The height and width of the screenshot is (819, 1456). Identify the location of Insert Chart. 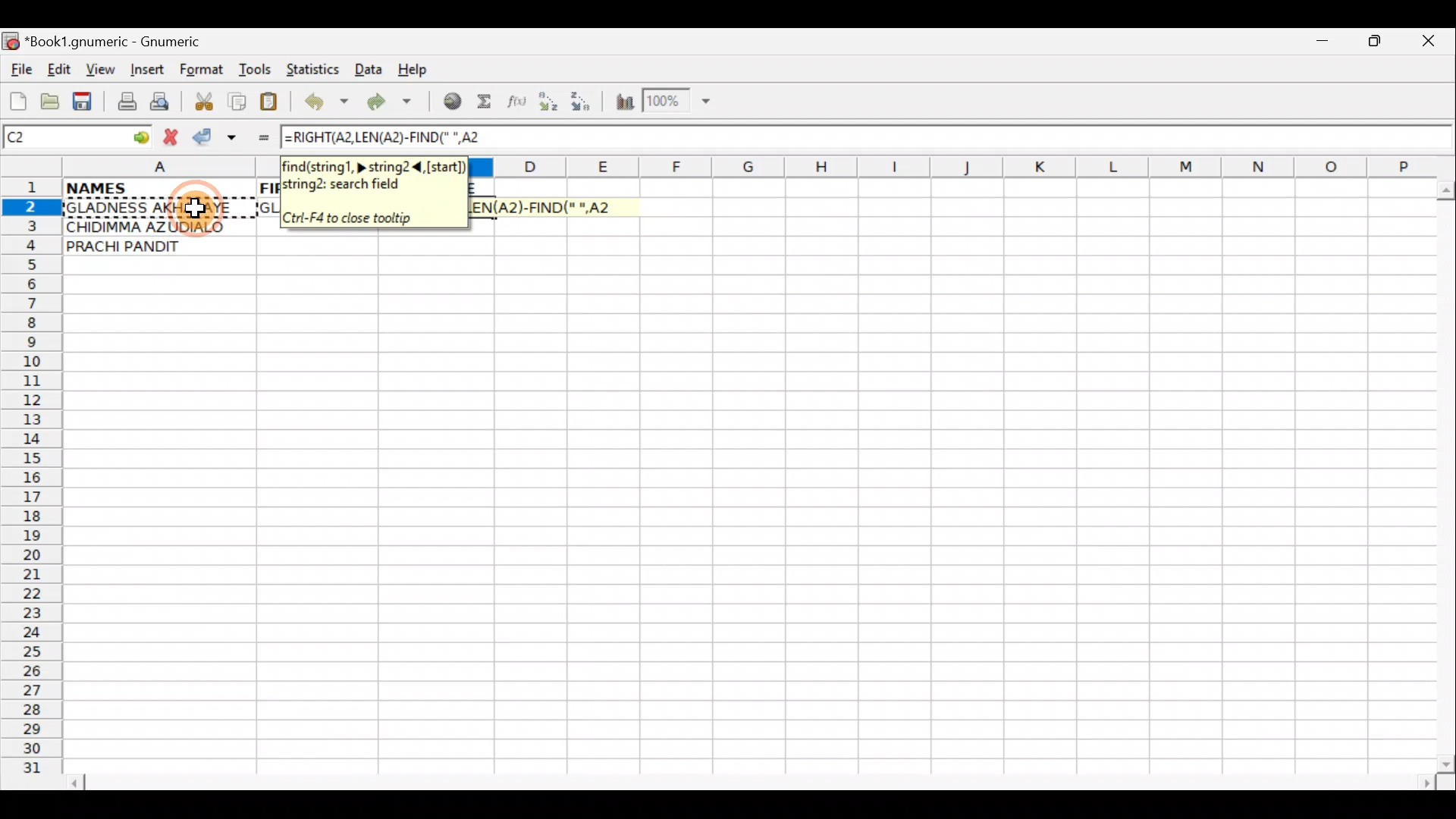
(620, 104).